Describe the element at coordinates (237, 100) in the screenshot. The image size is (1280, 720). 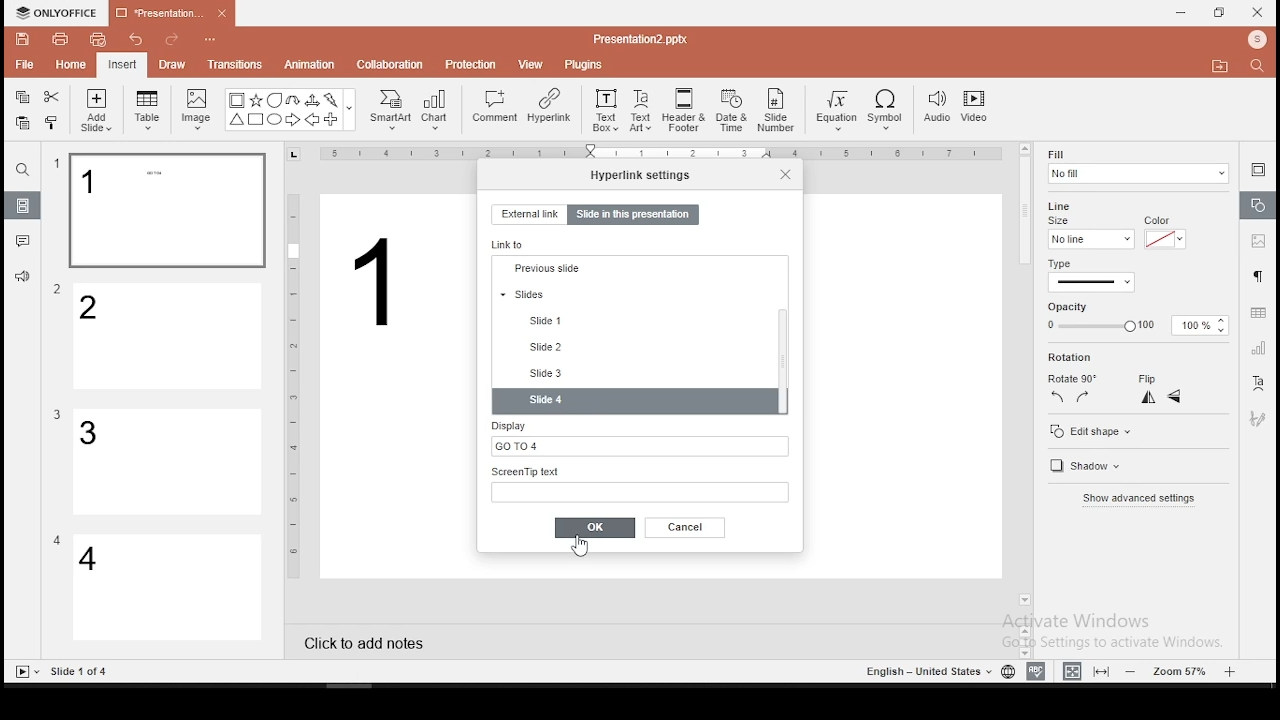
I see `Bordered Box` at that location.